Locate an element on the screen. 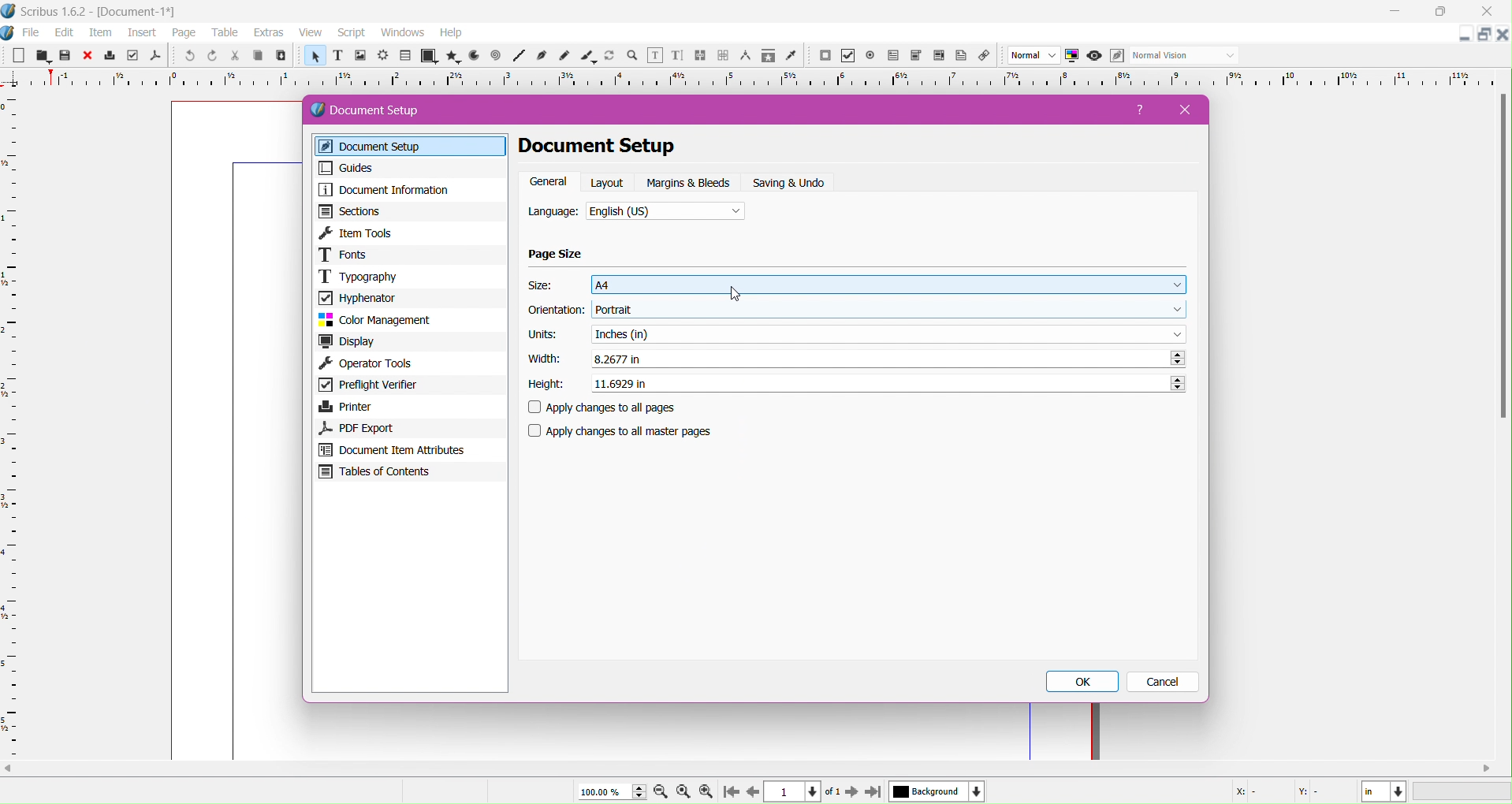 This screenshot has width=1512, height=804. Close is located at coordinates (1180, 110).